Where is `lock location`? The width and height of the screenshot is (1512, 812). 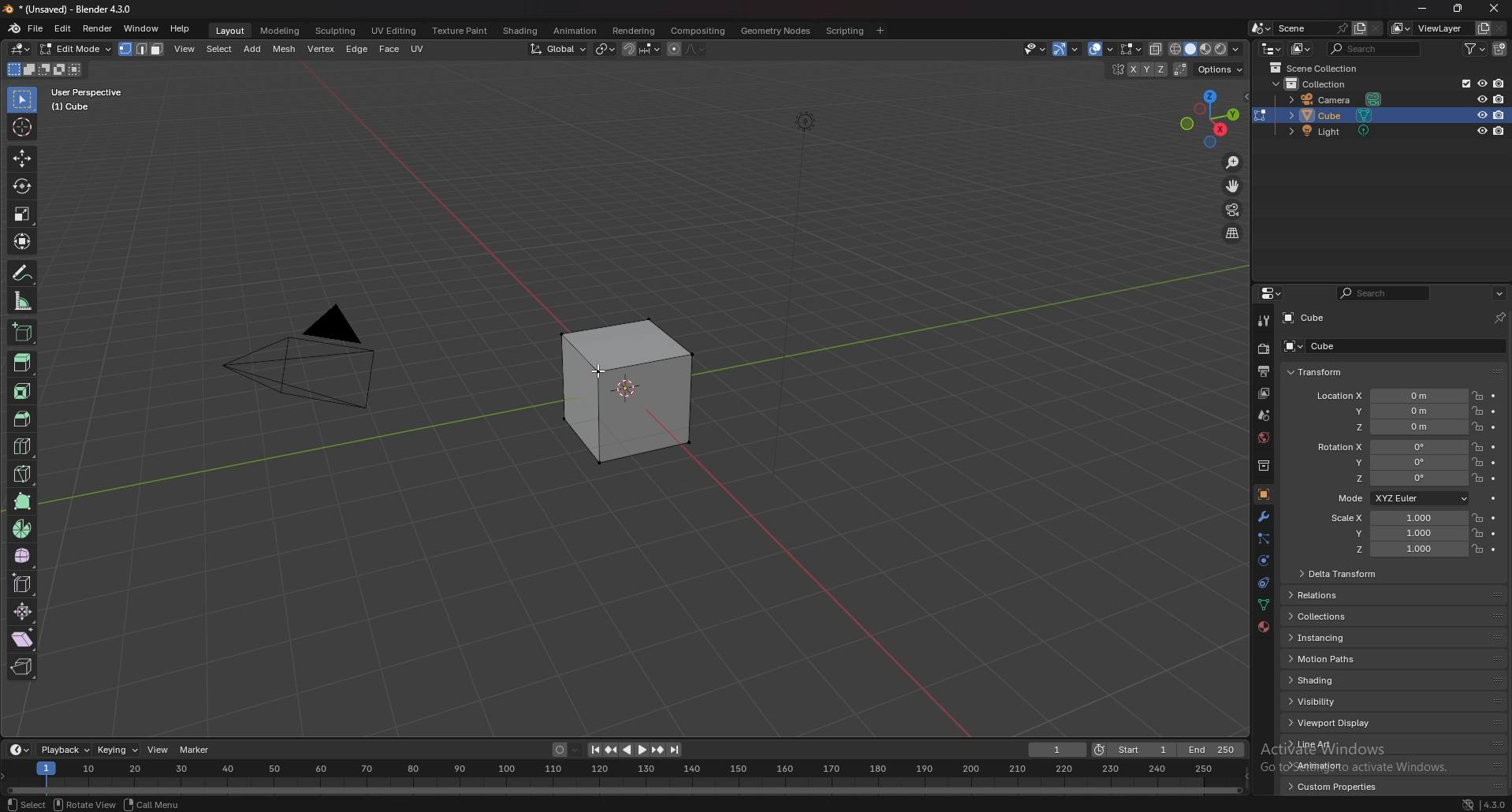 lock location is located at coordinates (1478, 426).